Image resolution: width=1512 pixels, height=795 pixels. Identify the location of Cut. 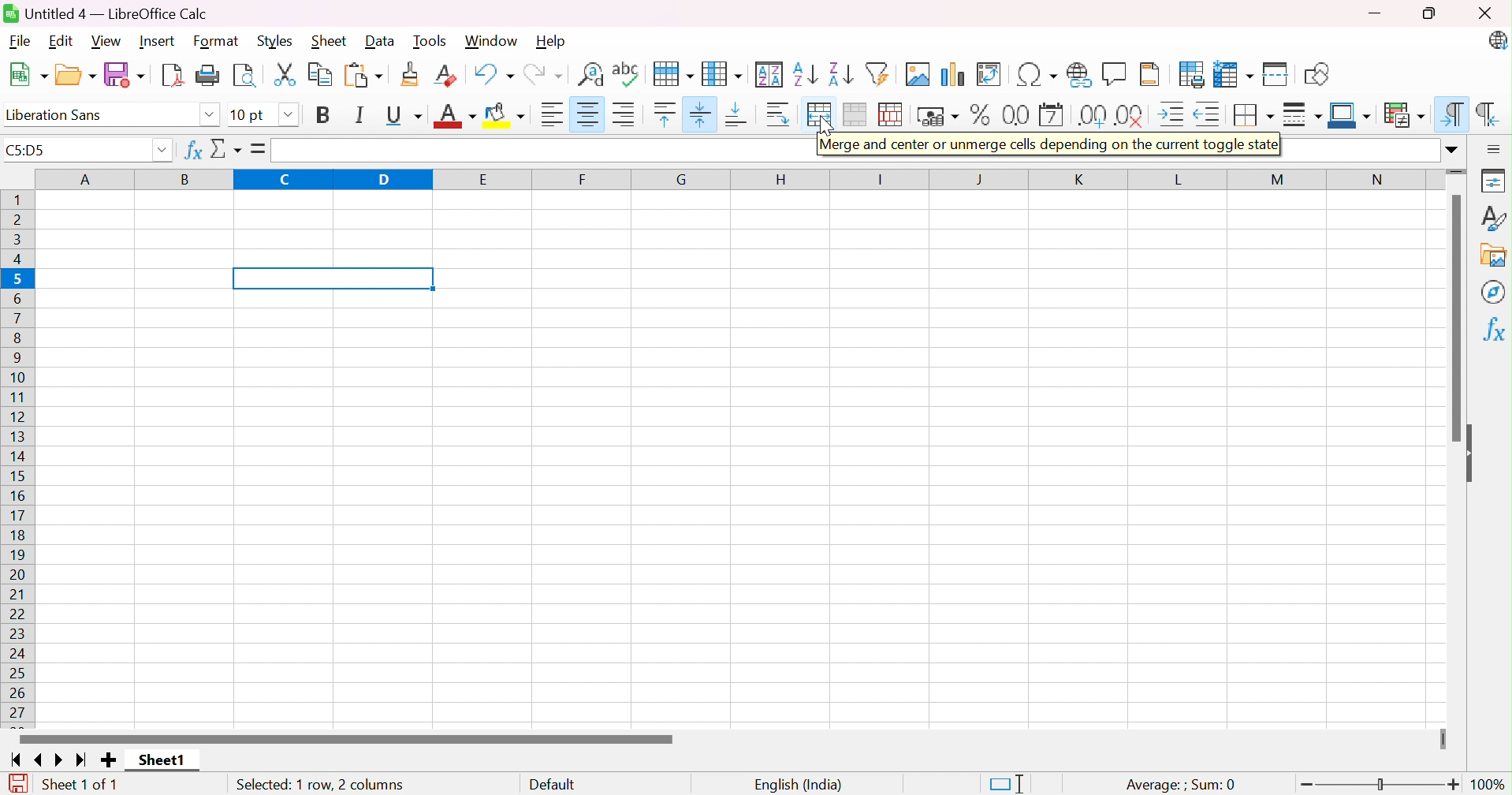
(287, 75).